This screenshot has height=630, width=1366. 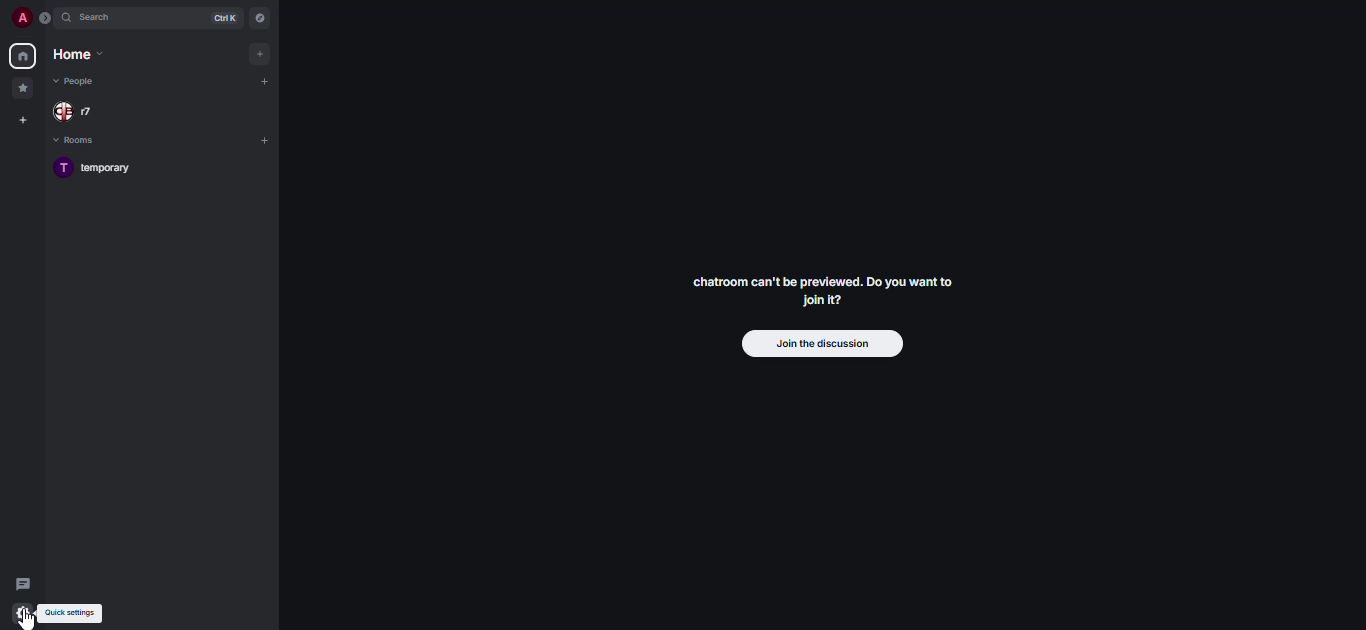 I want to click on ctrl K, so click(x=222, y=18).